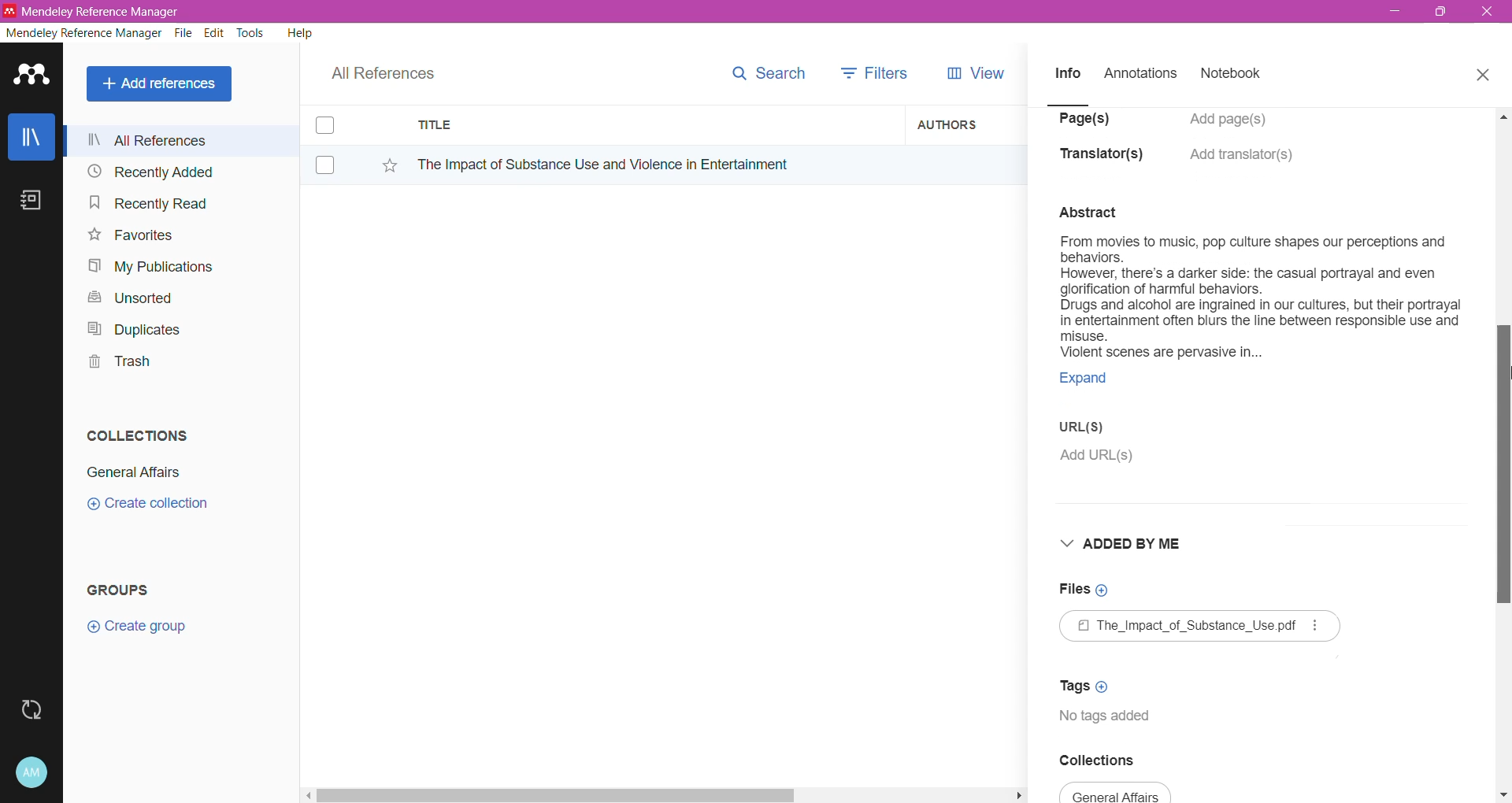  Describe the element at coordinates (1503, 470) in the screenshot. I see `scroll bar` at that location.